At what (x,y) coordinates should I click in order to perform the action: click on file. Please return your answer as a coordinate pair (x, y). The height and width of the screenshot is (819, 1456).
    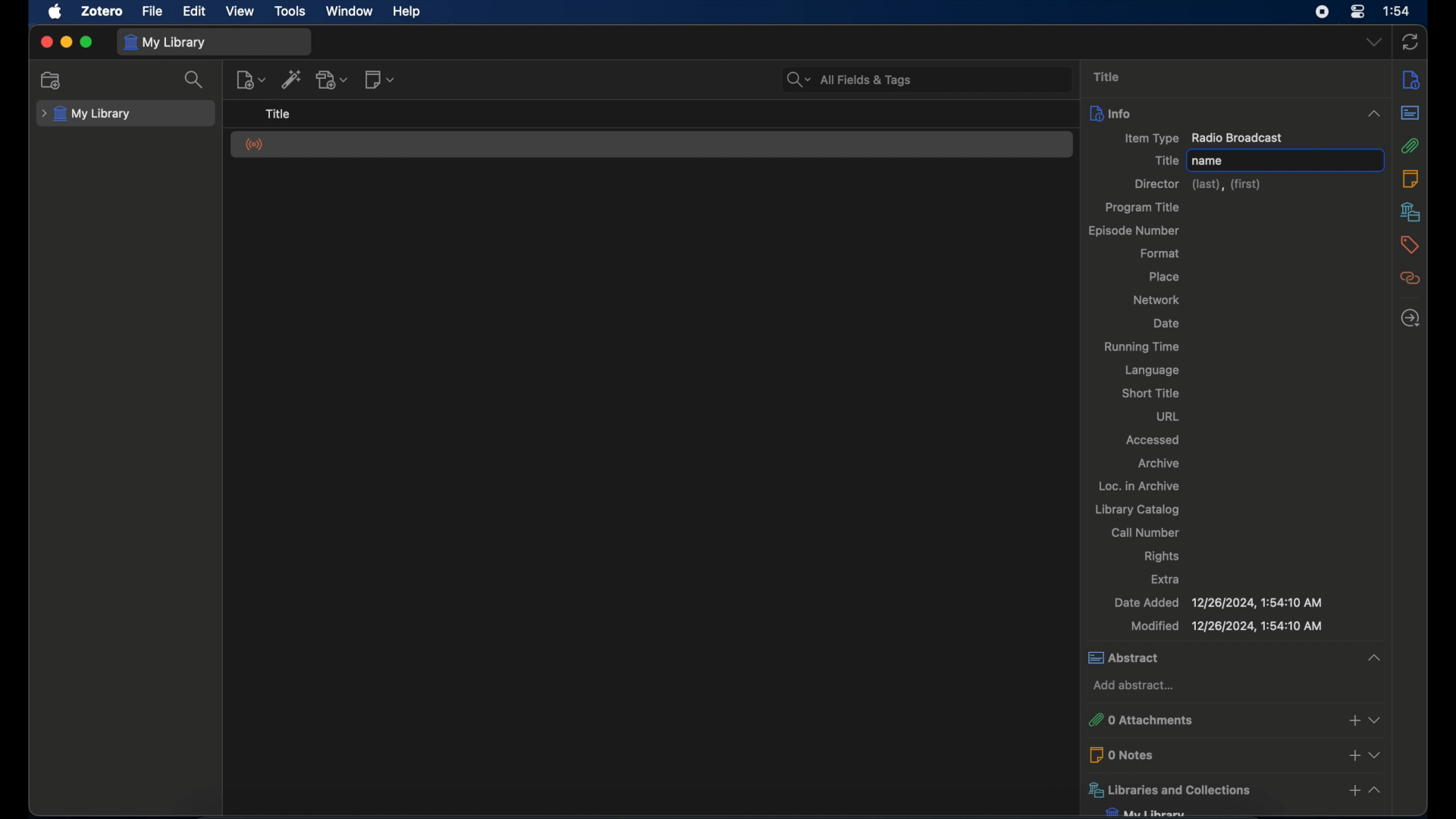
    Looking at the image, I should click on (153, 10).